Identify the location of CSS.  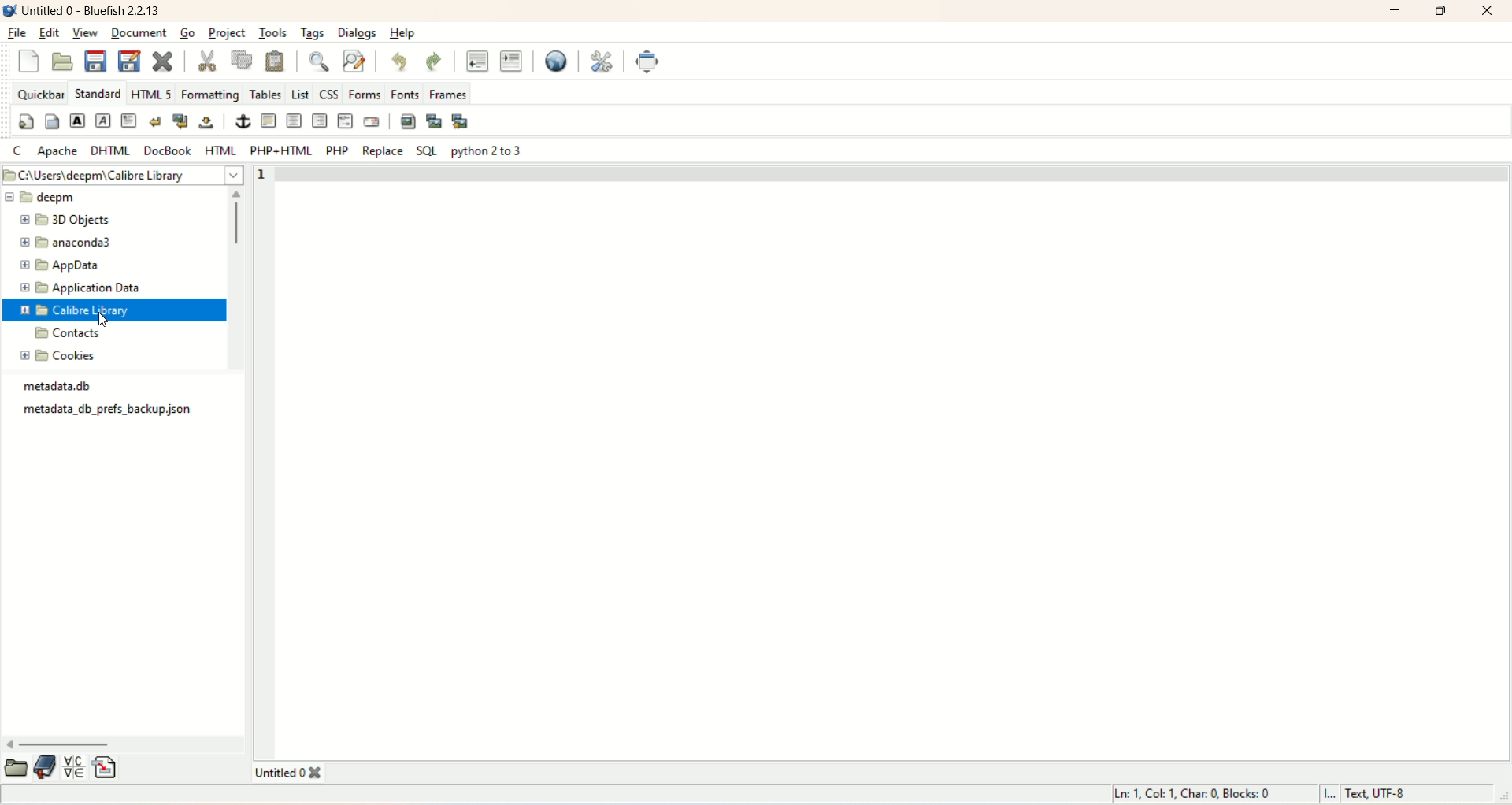
(328, 95).